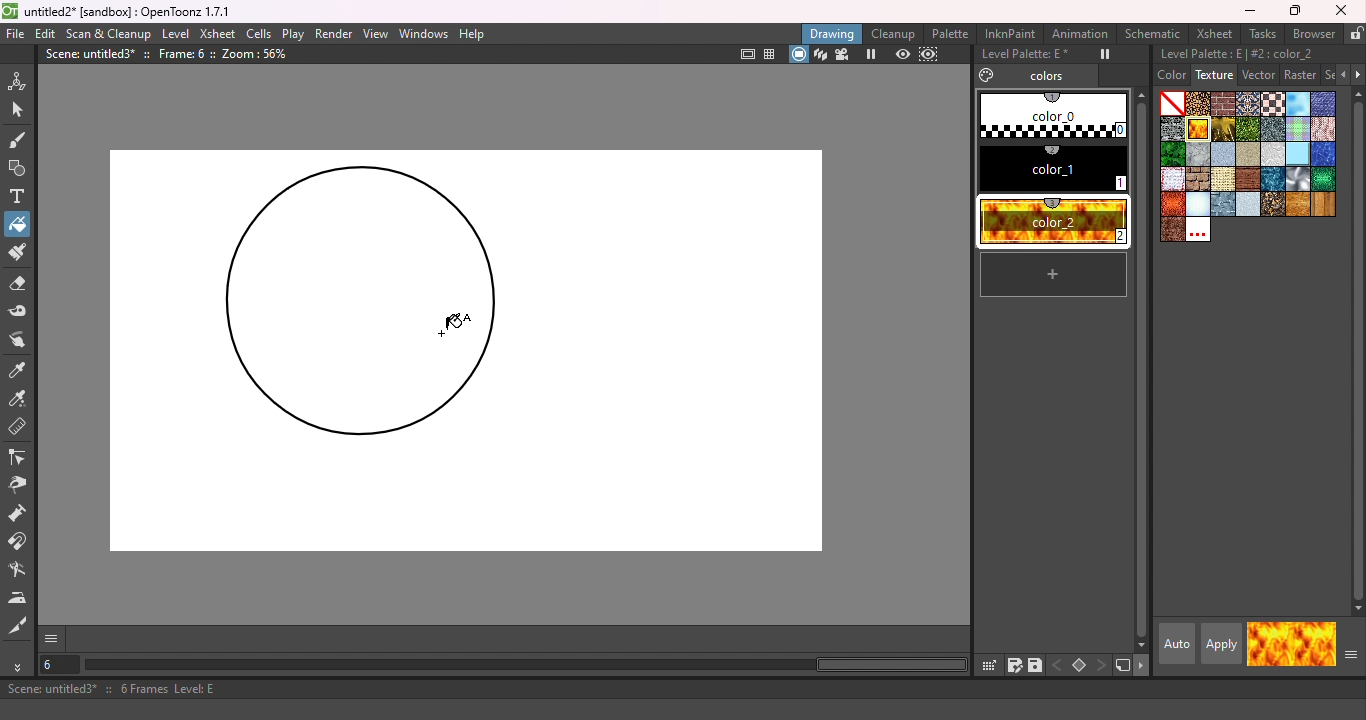 The image size is (1366, 720). I want to click on stucco.bmp, so click(1249, 205).